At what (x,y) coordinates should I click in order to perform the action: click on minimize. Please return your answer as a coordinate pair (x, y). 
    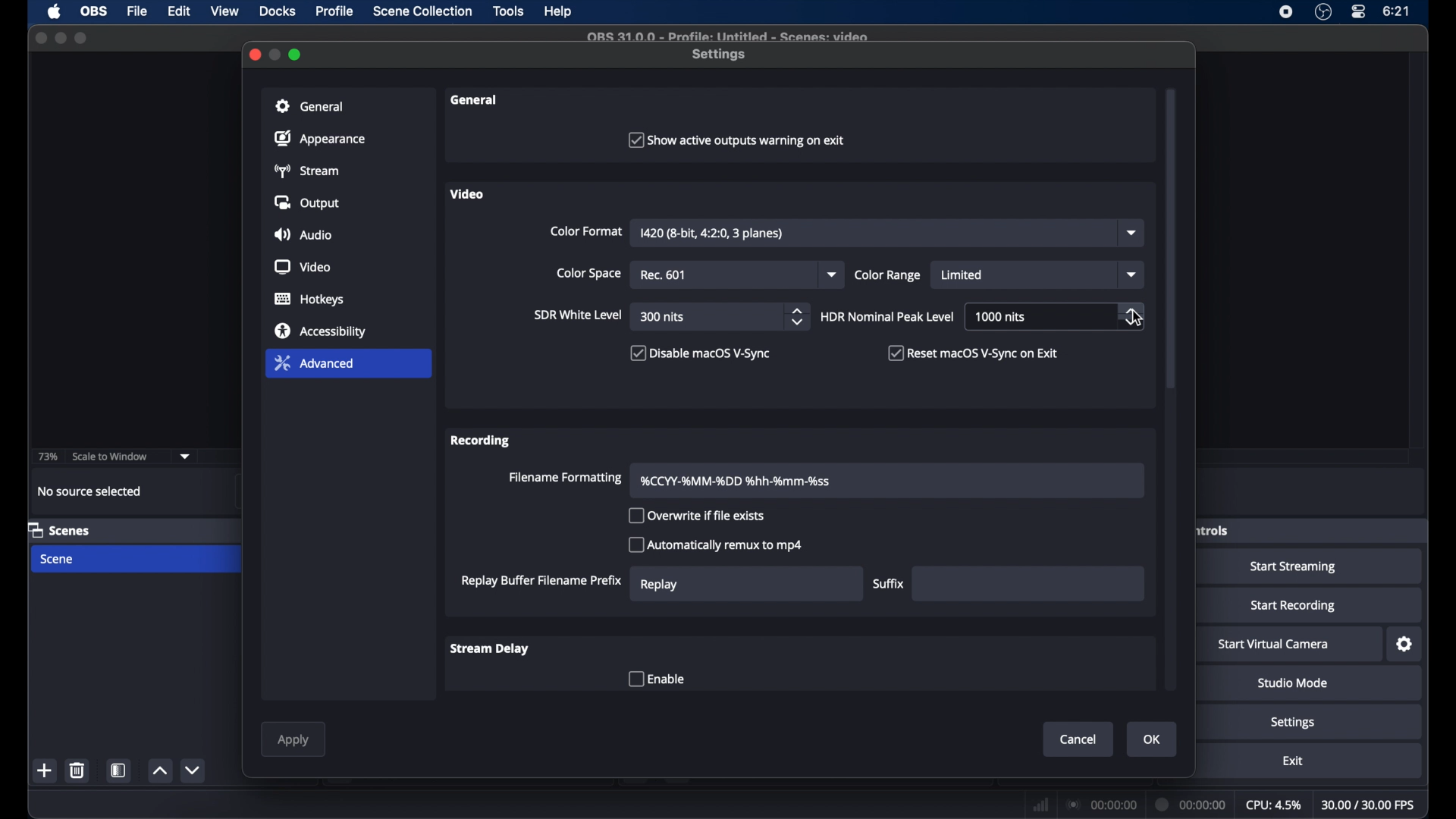
    Looking at the image, I should click on (276, 55).